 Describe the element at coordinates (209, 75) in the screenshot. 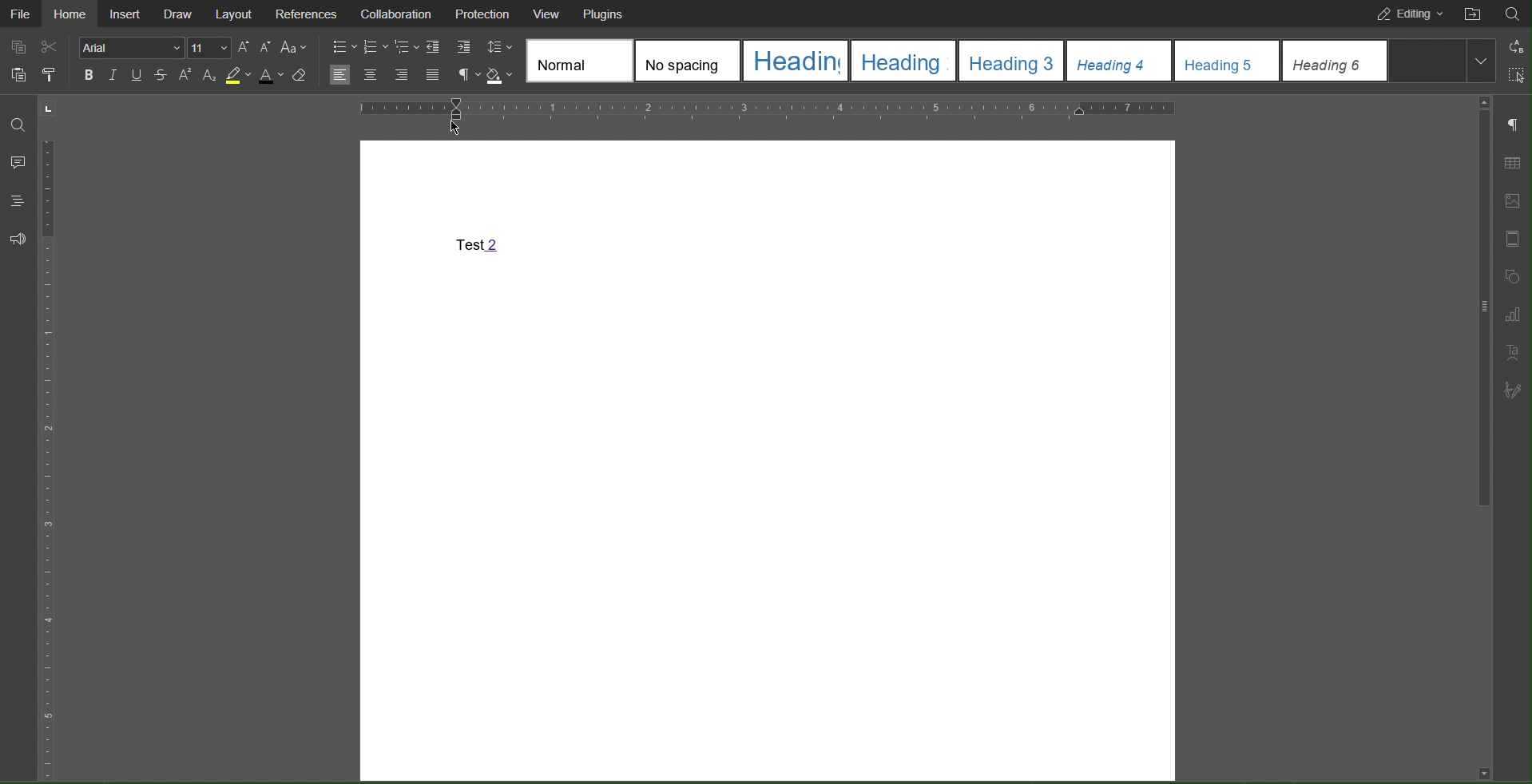

I see `Subscript` at that location.